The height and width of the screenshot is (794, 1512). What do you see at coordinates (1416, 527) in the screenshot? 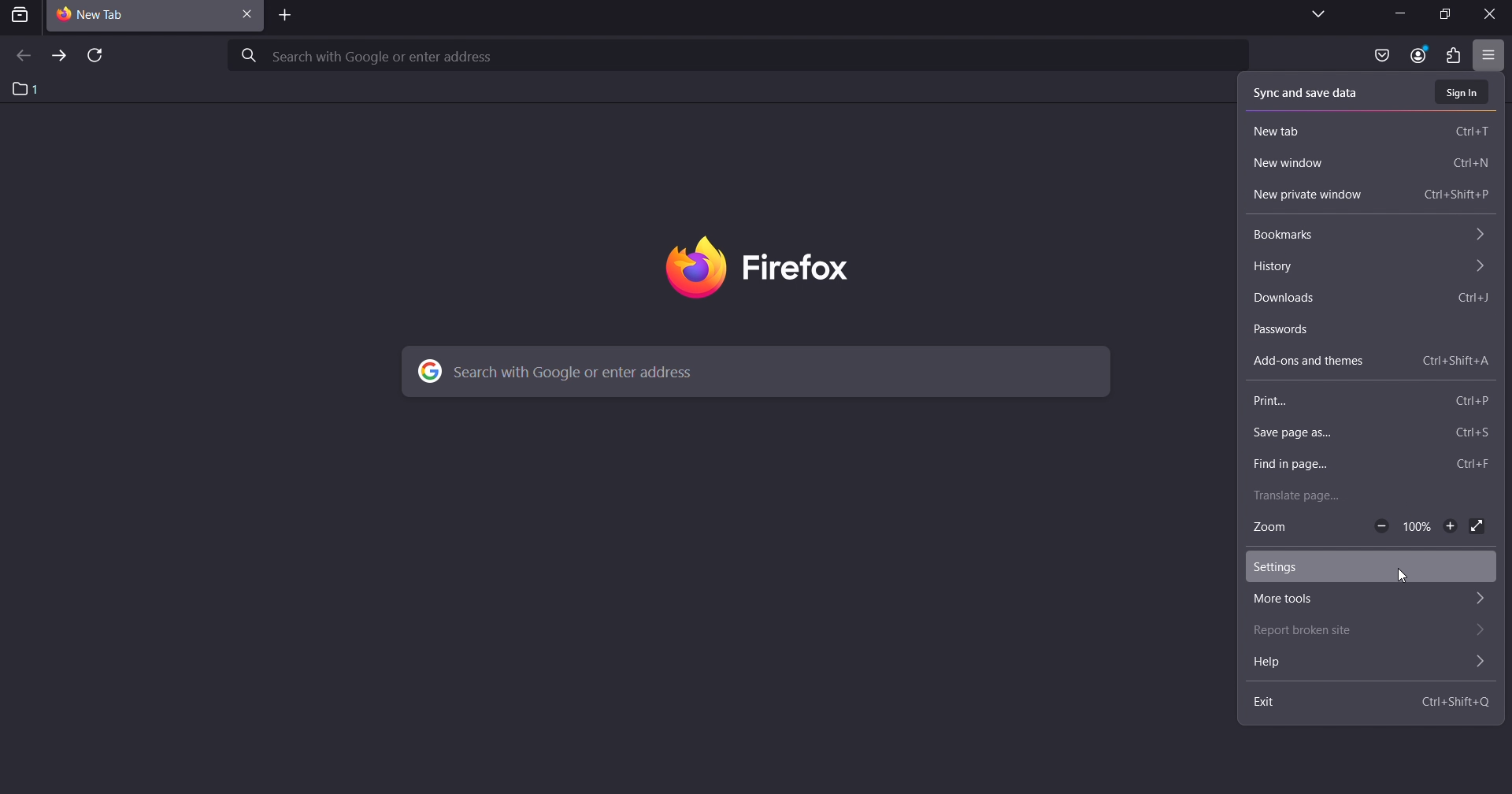
I see `100%` at bounding box center [1416, 527].